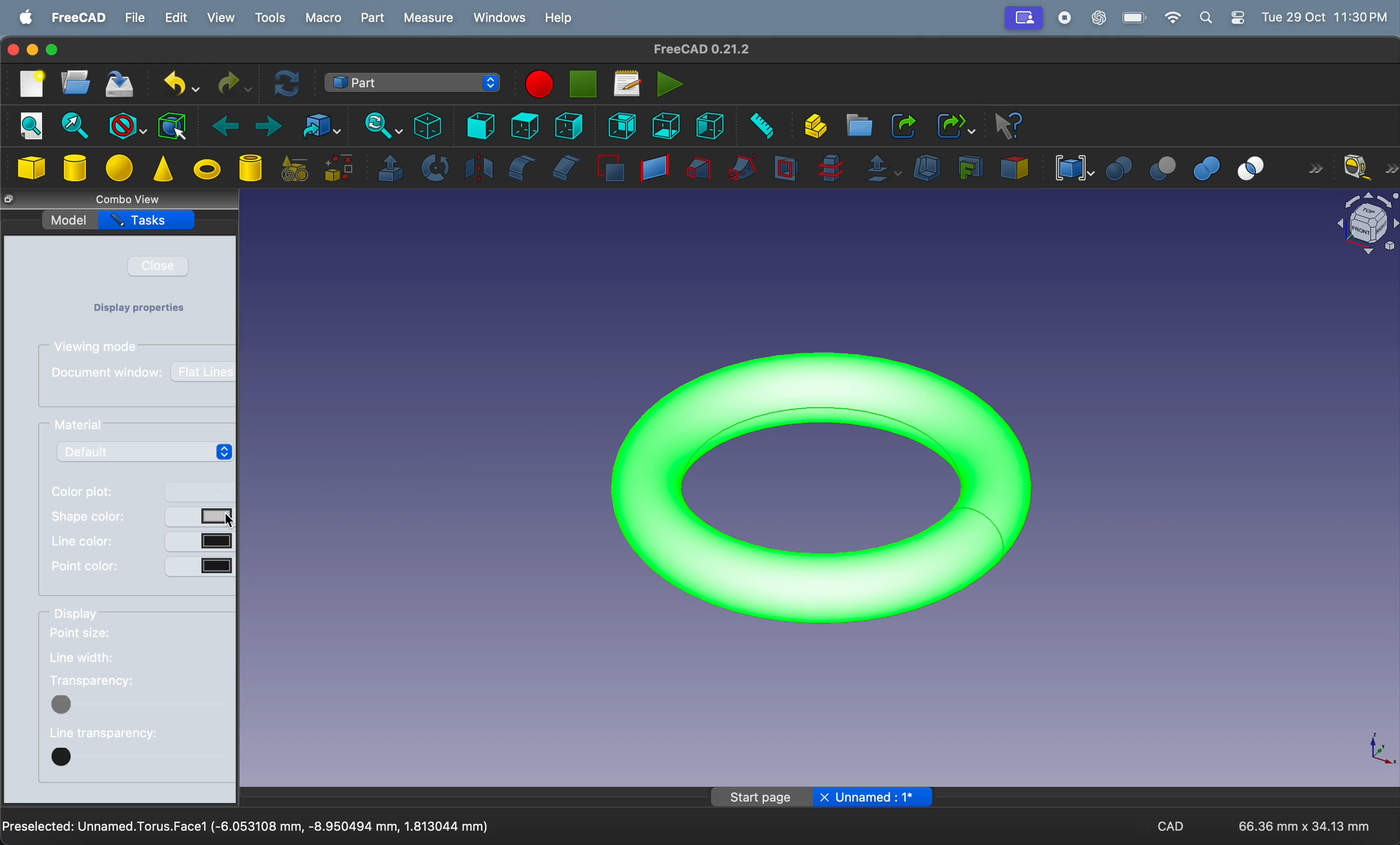 This screenshot has width=1400, height=845. I want to click on time and date, so click(1327, 16).